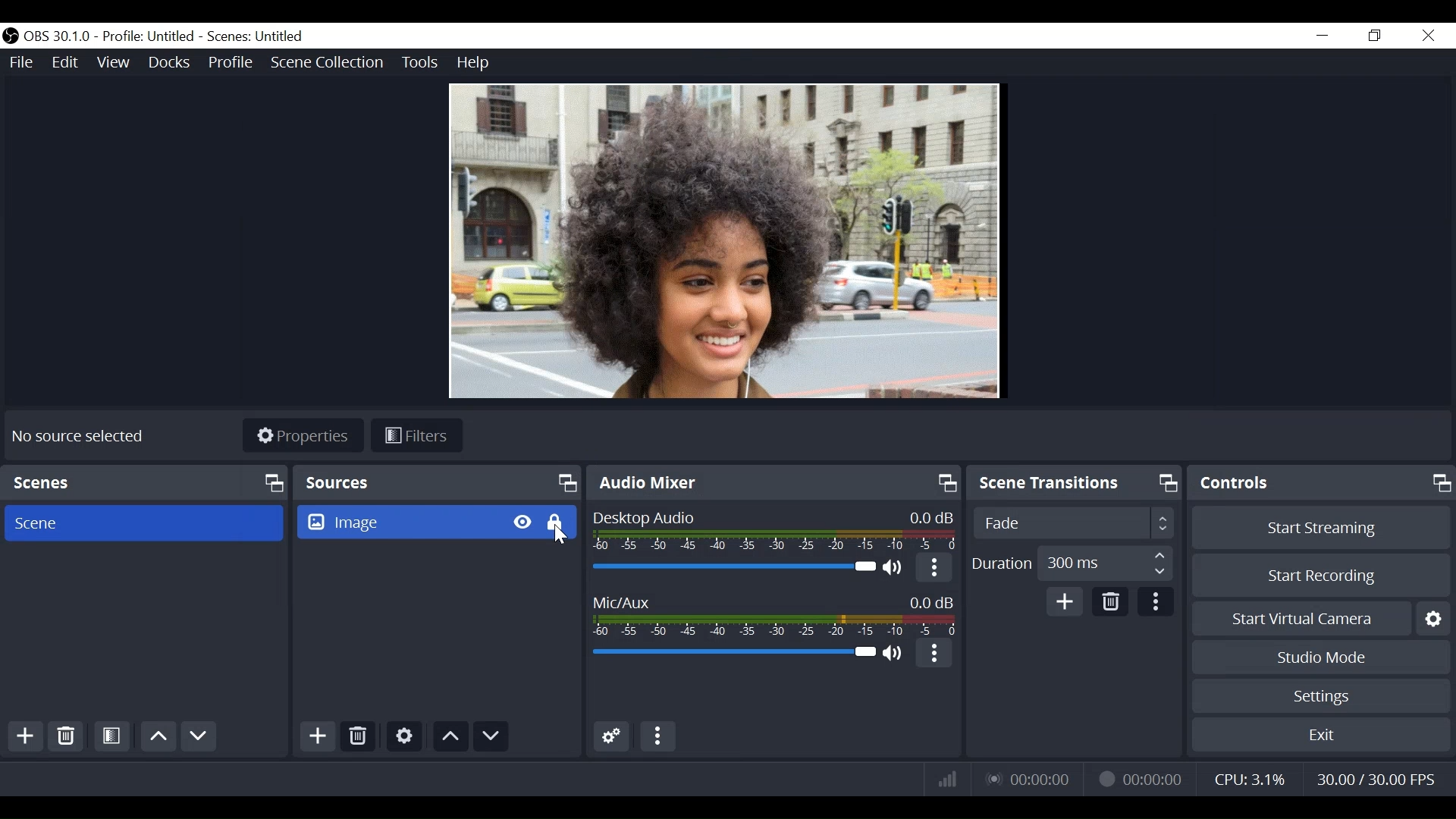 The height and width of the screenshot is (819, 1456). Describe the element at coordinates (69, 61) in the screenshot. I see `Edit` at that location.